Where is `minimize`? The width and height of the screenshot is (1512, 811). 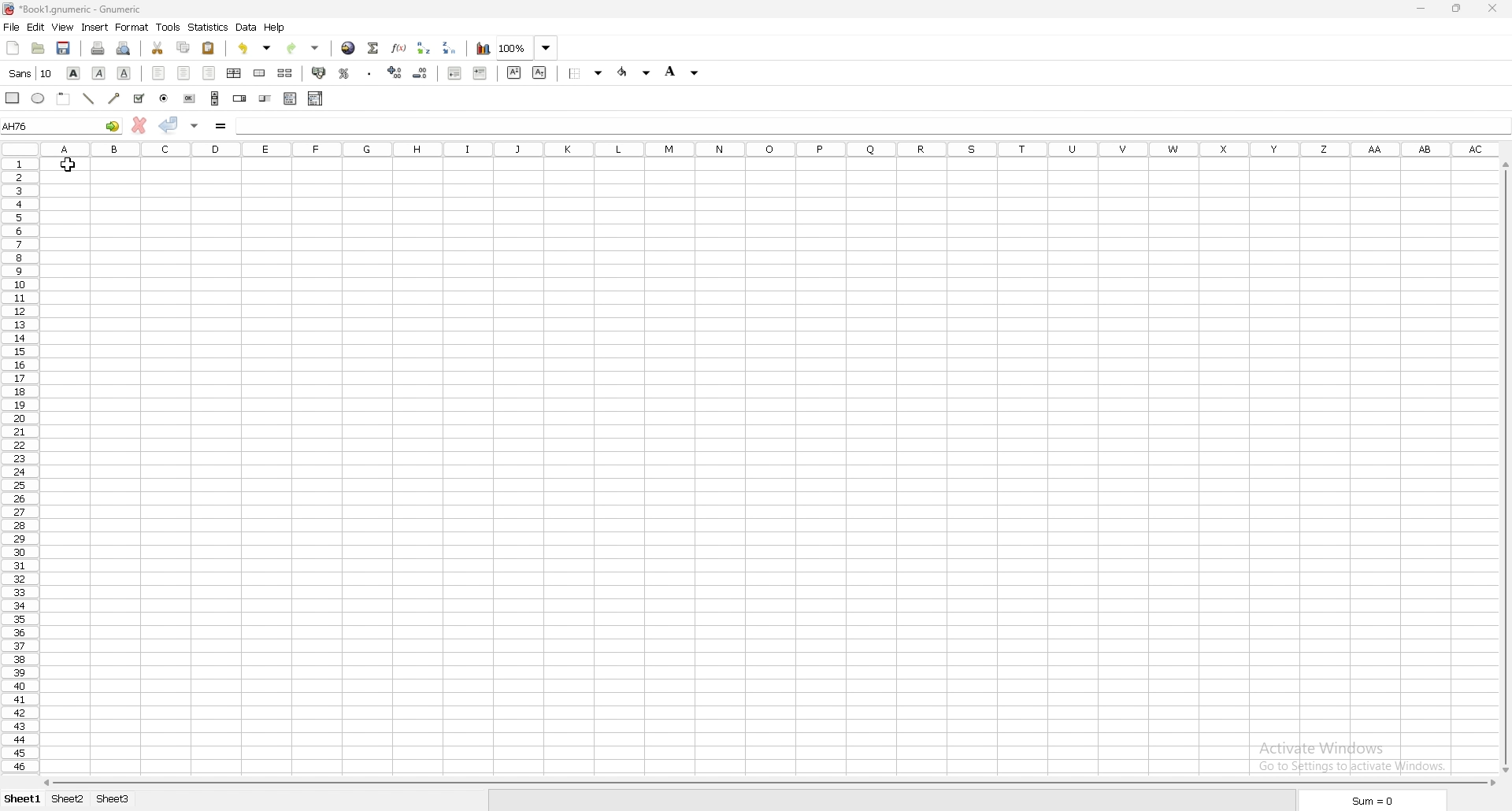 minimize is located at coordinates (1423, 10).